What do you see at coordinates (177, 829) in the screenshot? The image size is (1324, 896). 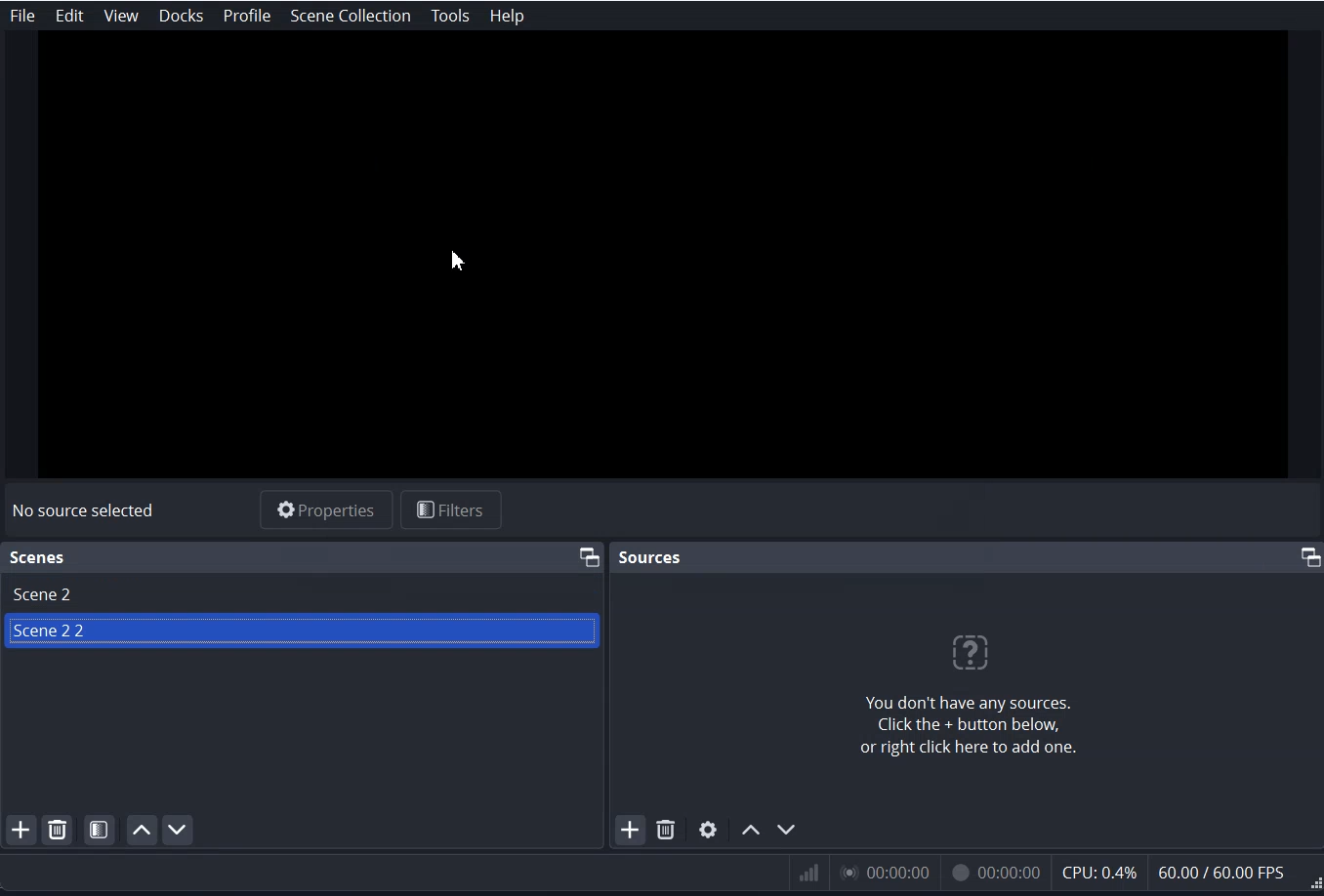 I see `Move scene Down` at bounding box center [177, 829].